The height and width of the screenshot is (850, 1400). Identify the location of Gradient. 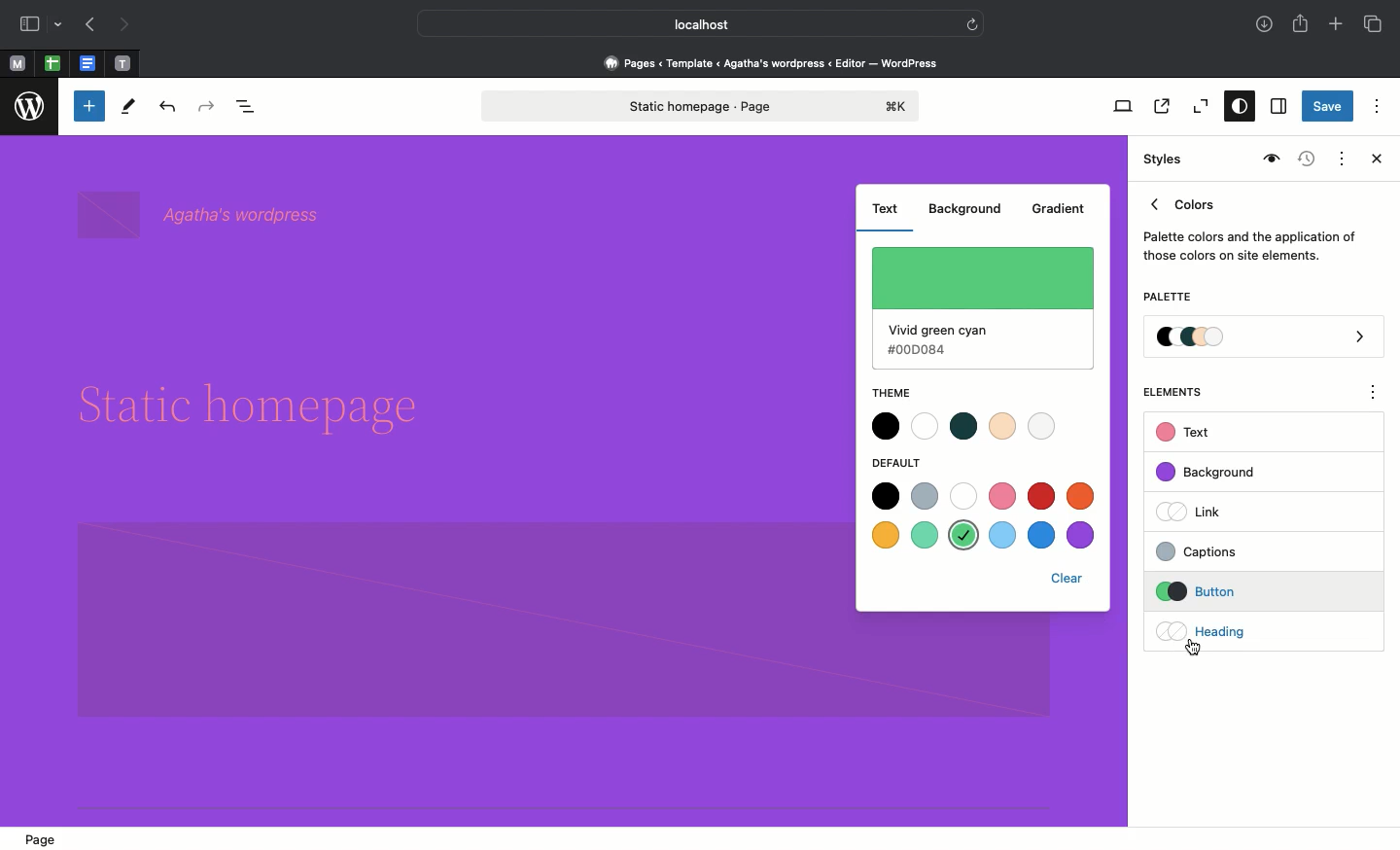
(1058, 211).